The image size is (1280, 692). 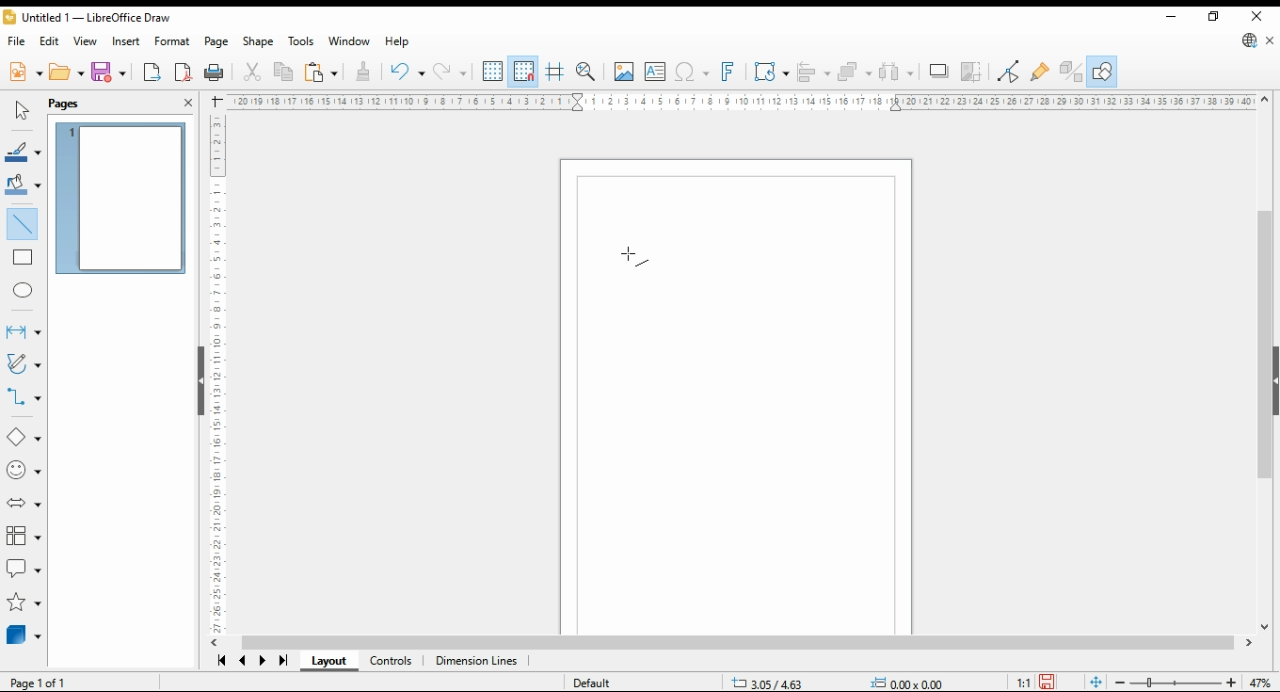 What do you see at coordinates (22, 183) in the screenshot?
I see `fill color` at bounding box center [22, 183].